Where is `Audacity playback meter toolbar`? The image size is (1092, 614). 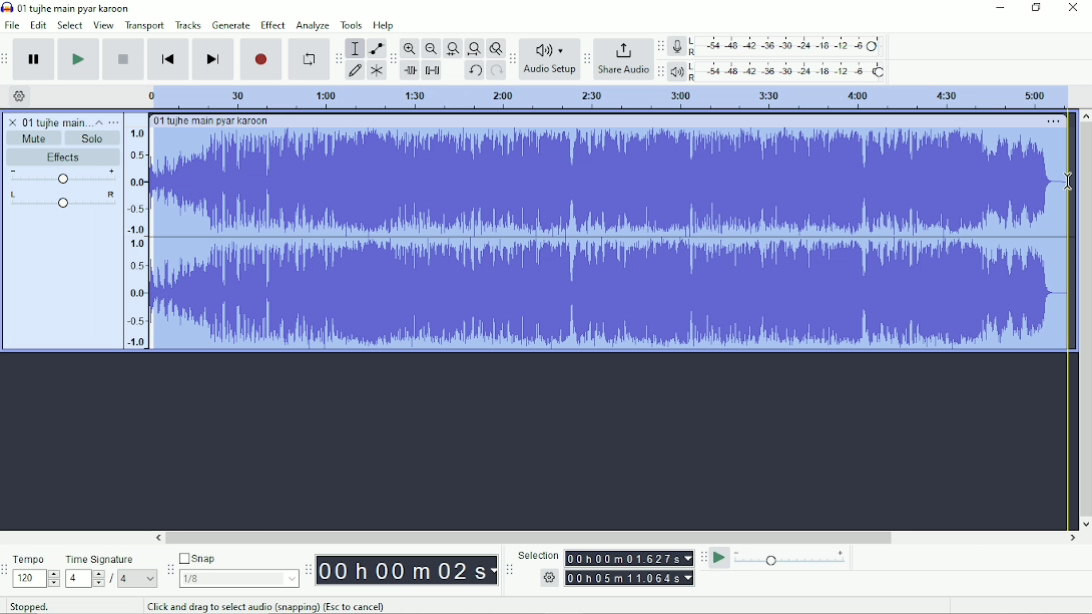 Audacity playback meter toolbar is located at coordinates (660, 73).